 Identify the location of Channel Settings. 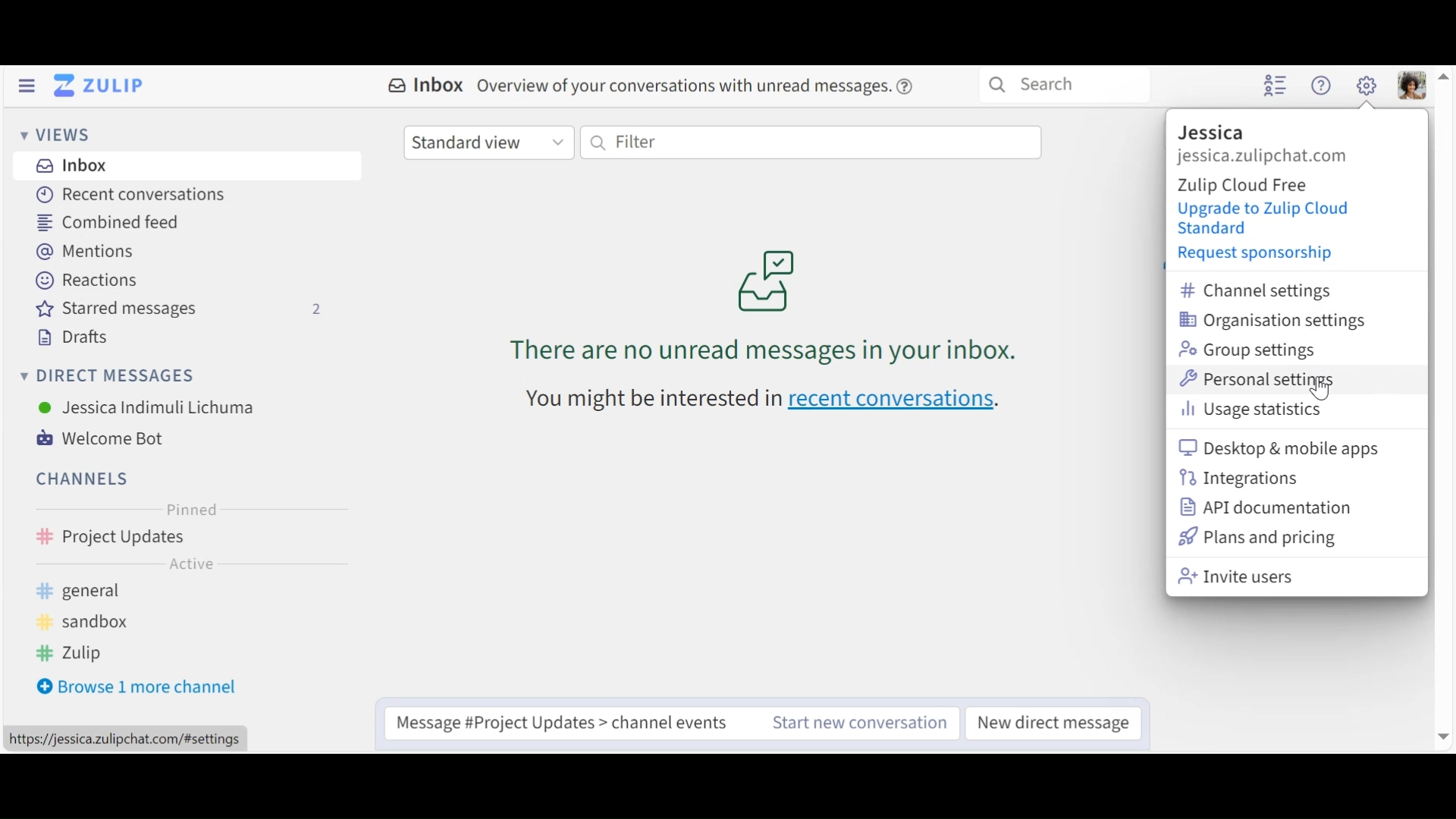
(1267, 292).